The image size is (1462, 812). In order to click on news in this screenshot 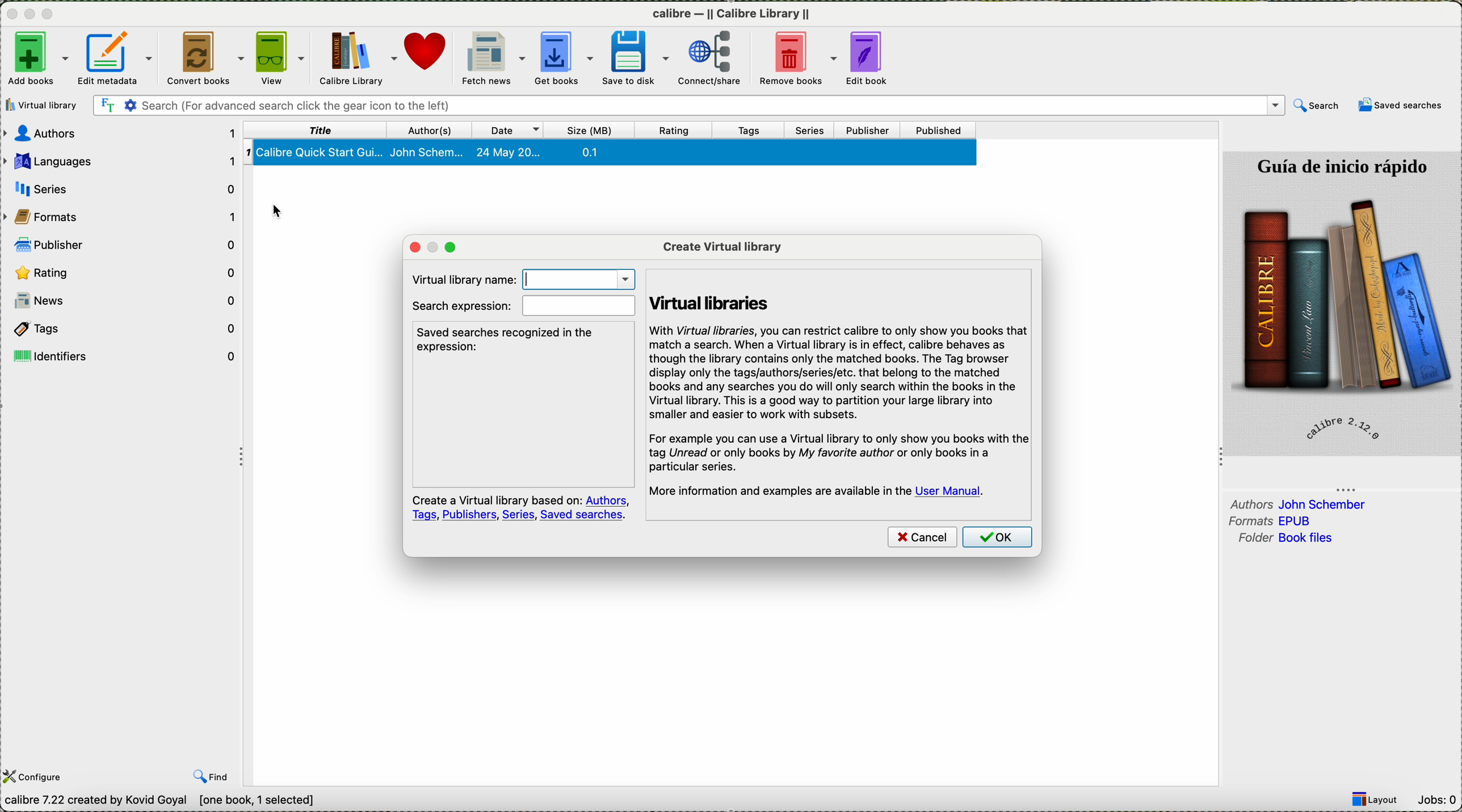, I will do `click(125, 303)`.